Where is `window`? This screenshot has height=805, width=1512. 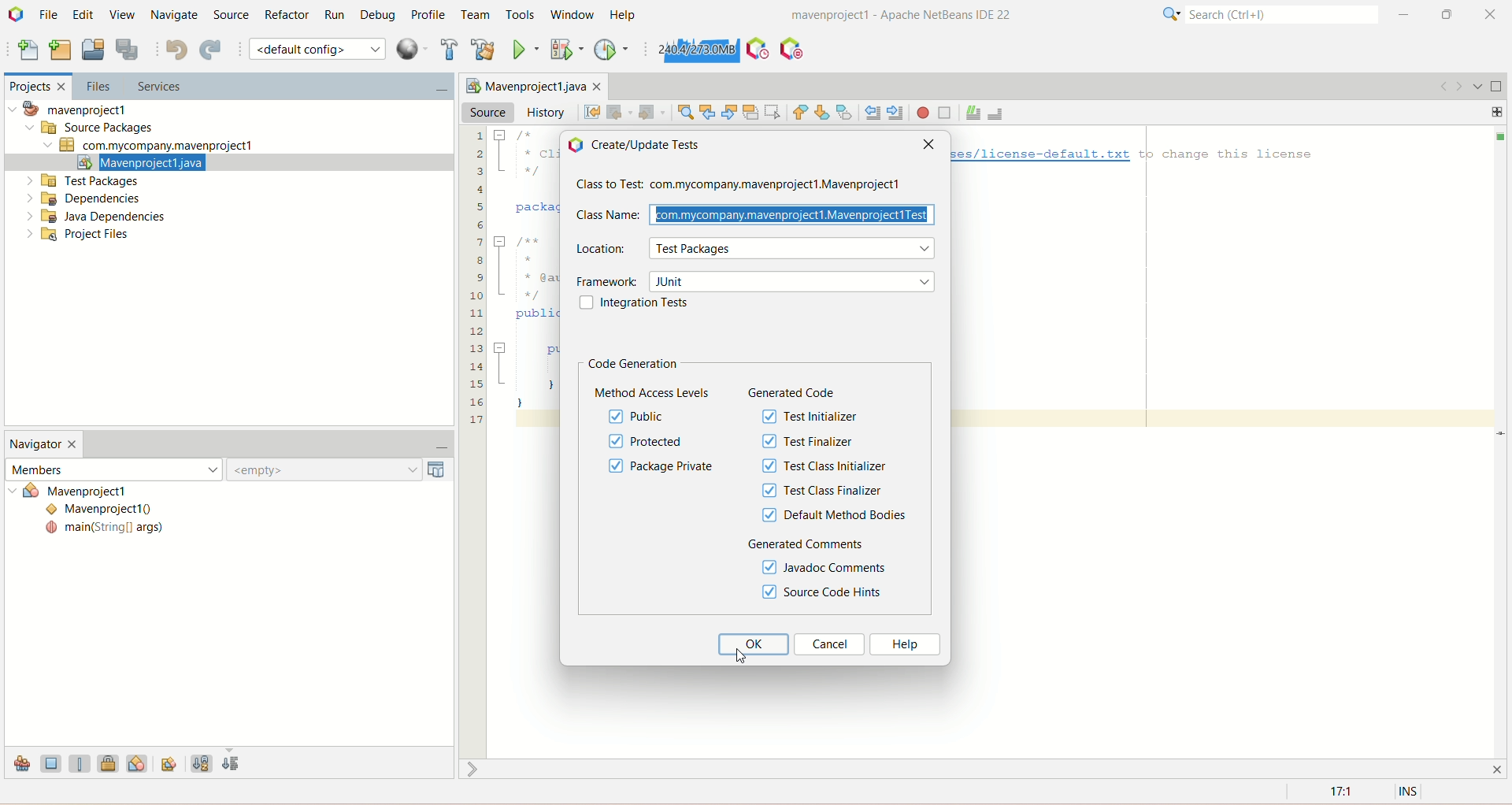
window is located at coordinates (577, 15).